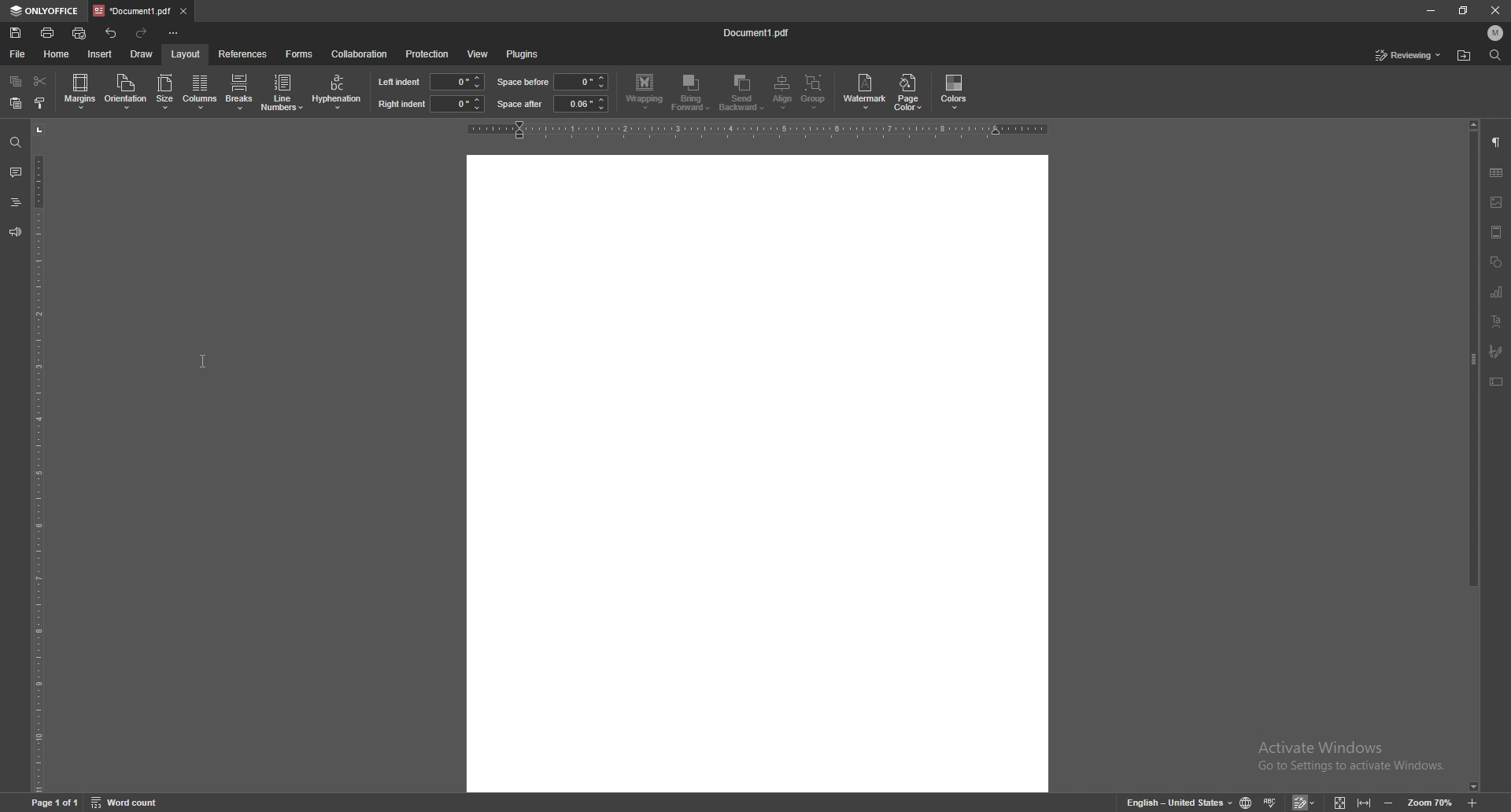 This screenshot has height=812, width=1511. Describe the element at coordinates (100, 54) in the screenshot. I see `insert` at that location.